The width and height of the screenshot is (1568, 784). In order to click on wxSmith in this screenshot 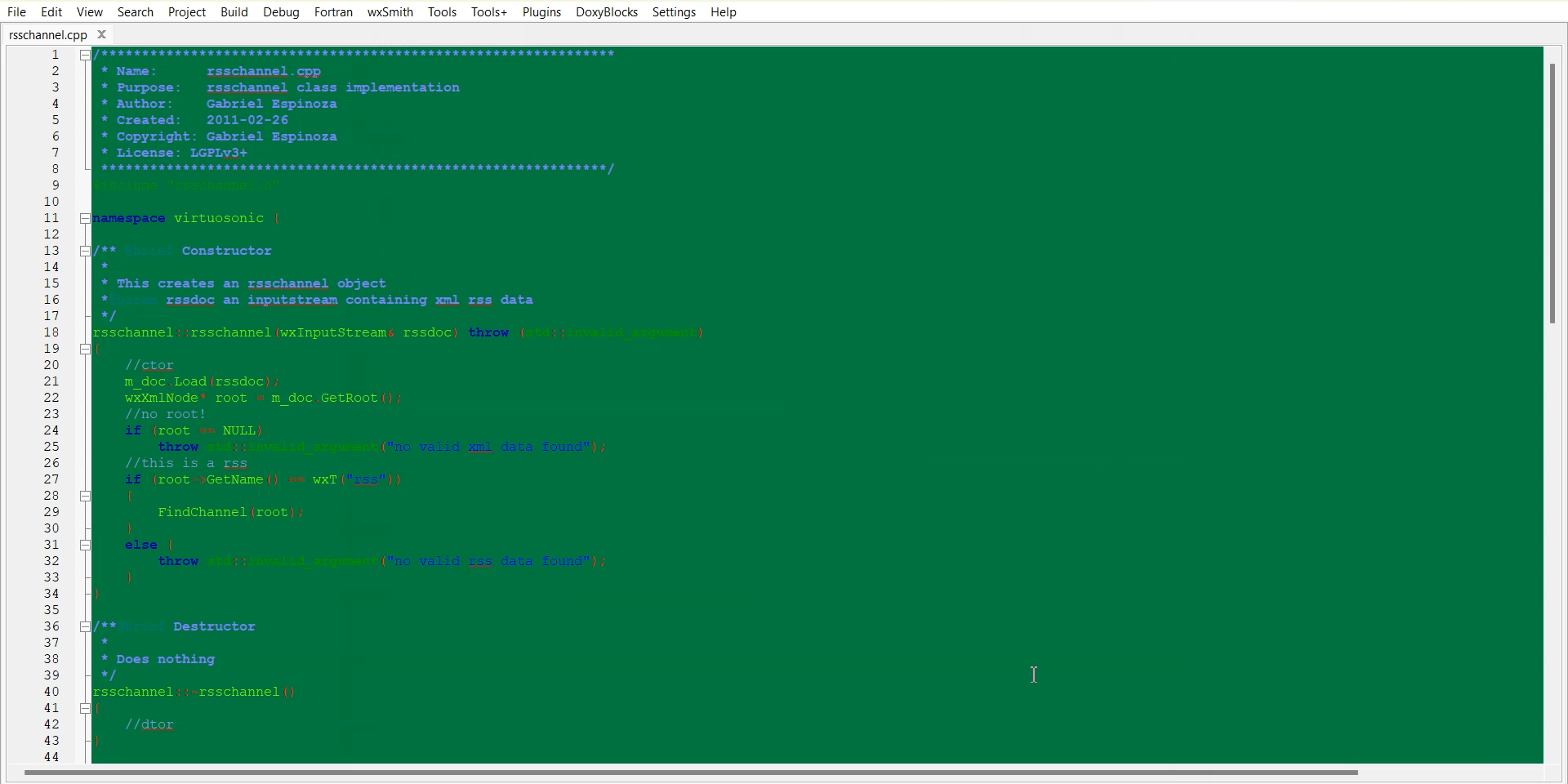, I will do `click(390, 12)`.